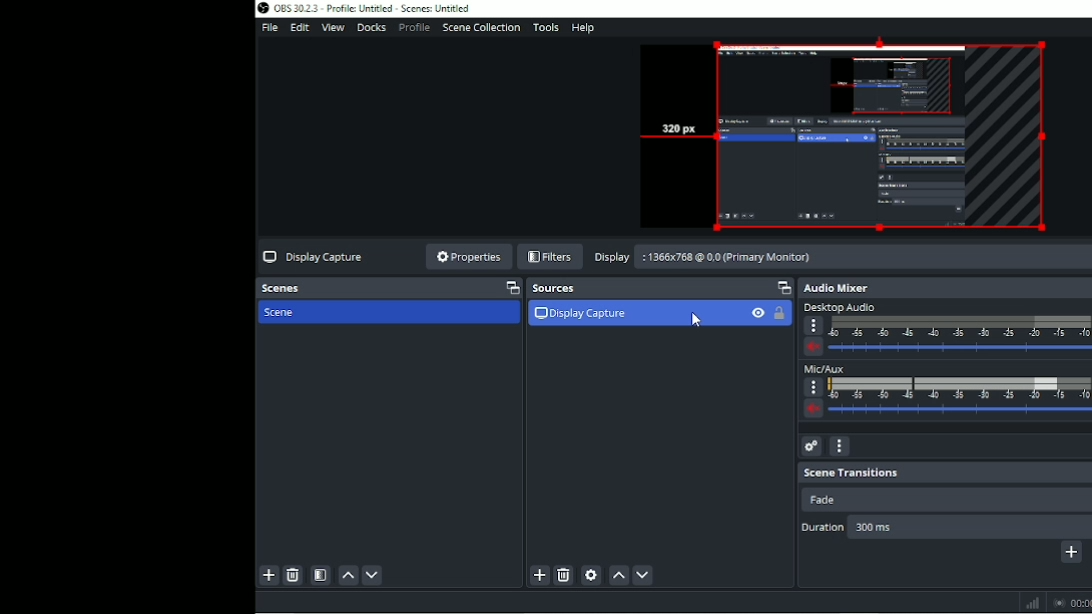 Image resolution: width=1092 pixels, height=614 pixels. What do you see at coordinates (841, 447) in the screenshot?
I see `Audio mixer menu` at bounding box center [841, 447].